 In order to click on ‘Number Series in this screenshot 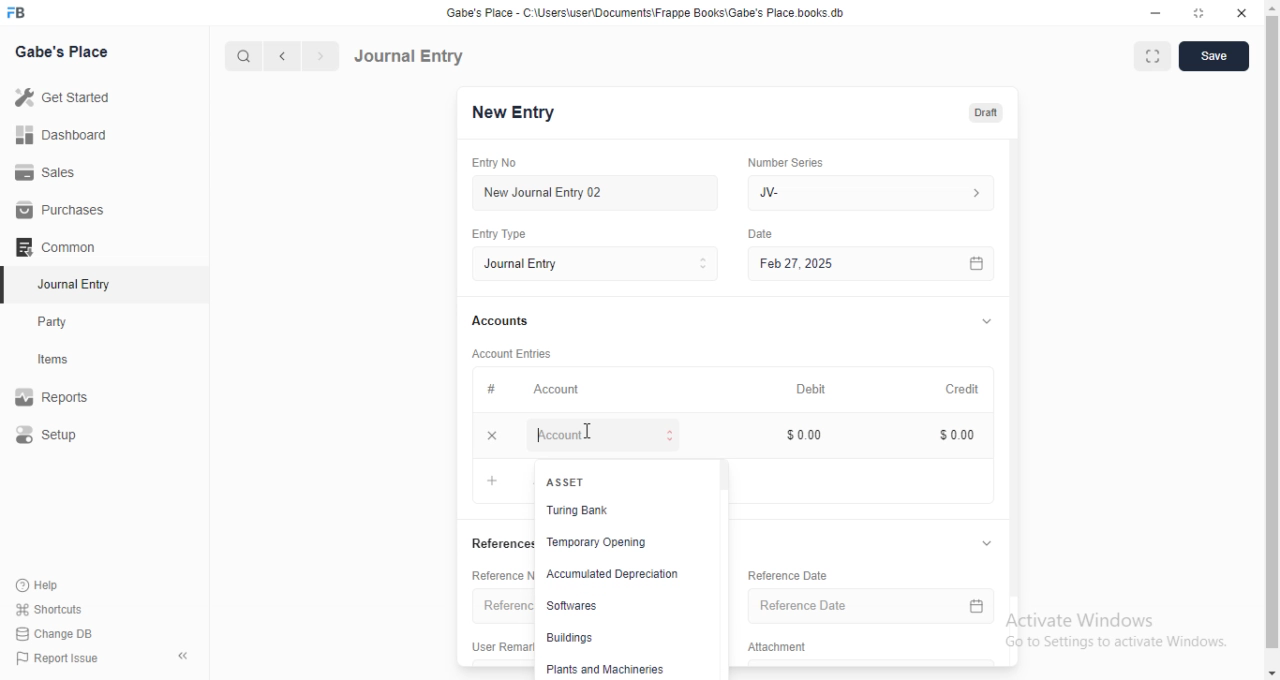, I will do `click(794, 162)`.